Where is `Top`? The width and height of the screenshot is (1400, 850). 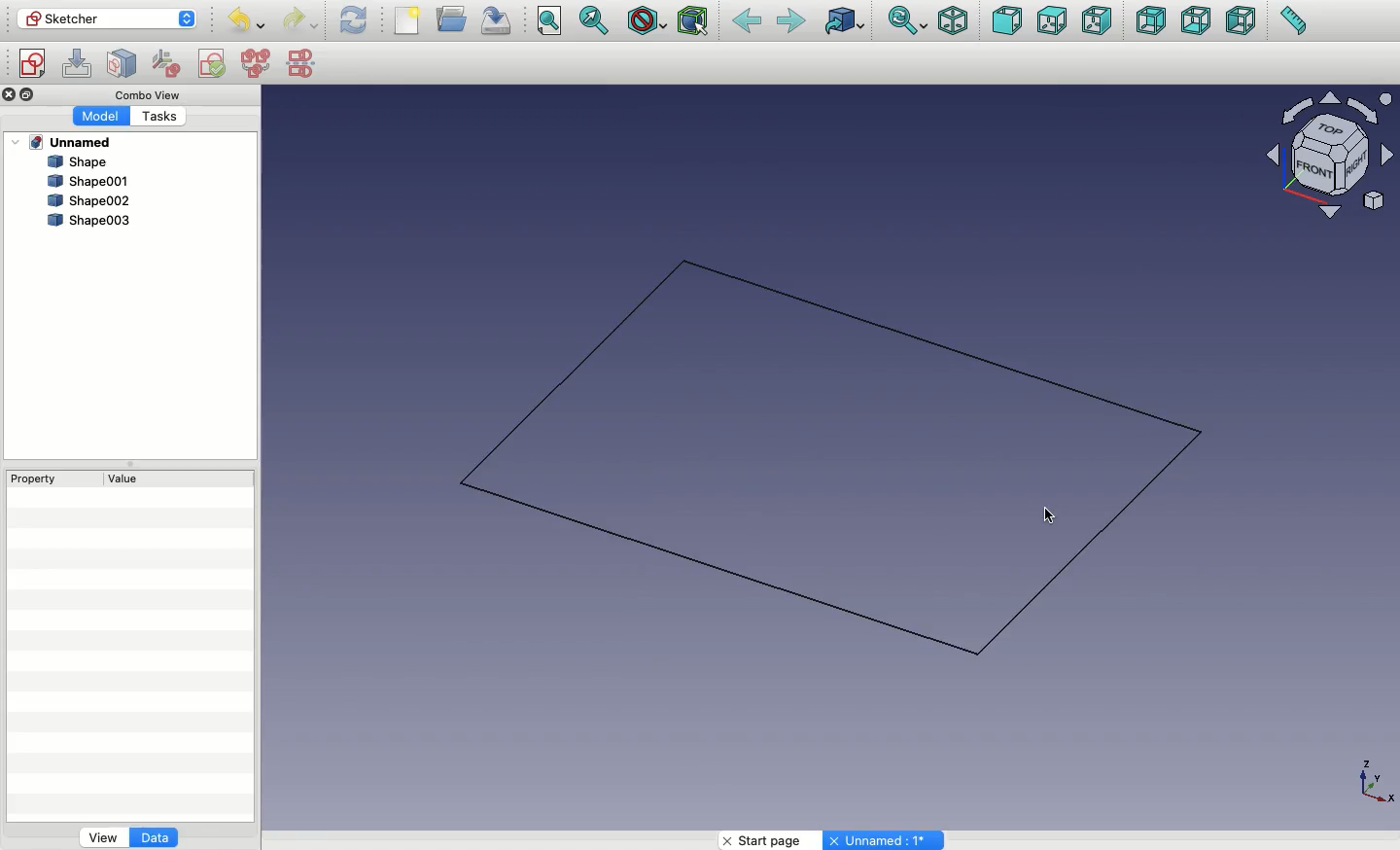
Top is located at coordinates (1050, 20).